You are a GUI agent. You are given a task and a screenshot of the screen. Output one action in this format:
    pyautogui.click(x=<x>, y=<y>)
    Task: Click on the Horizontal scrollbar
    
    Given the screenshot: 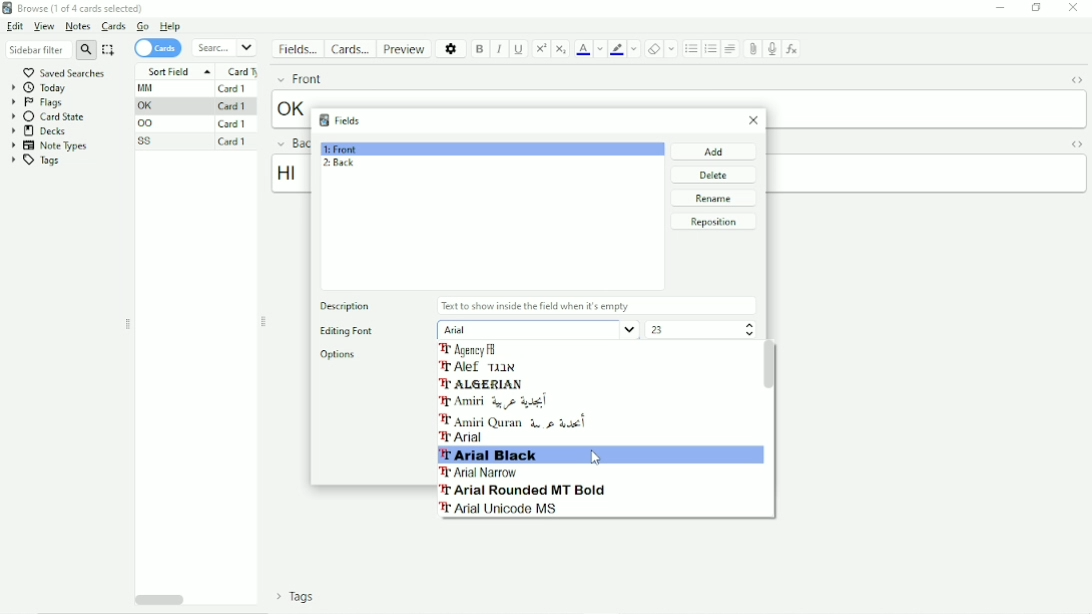 What is the action you would take?
    pyautogui.click(x=158, y=600)
    